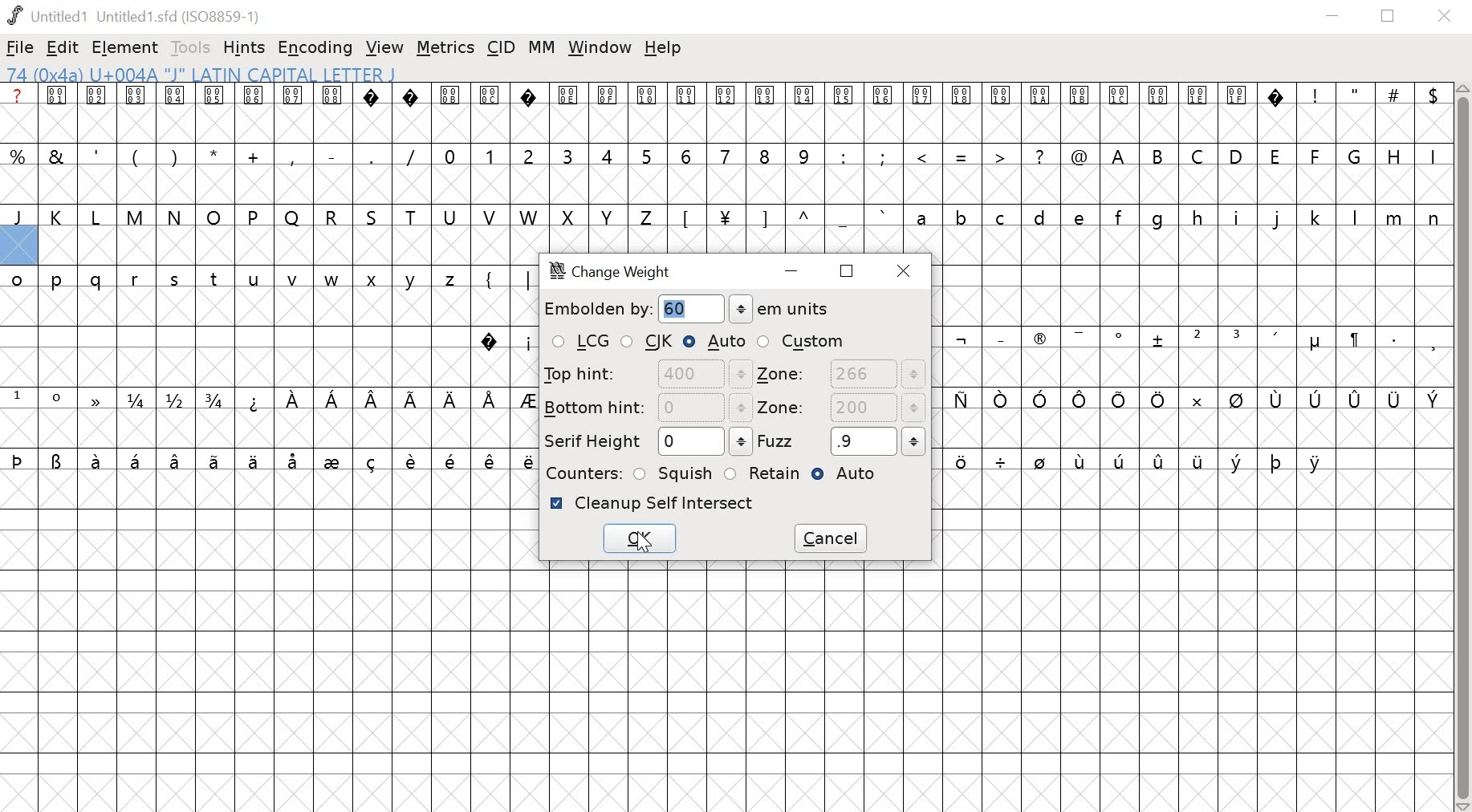  I want to click on FILE, so click(20, 47).